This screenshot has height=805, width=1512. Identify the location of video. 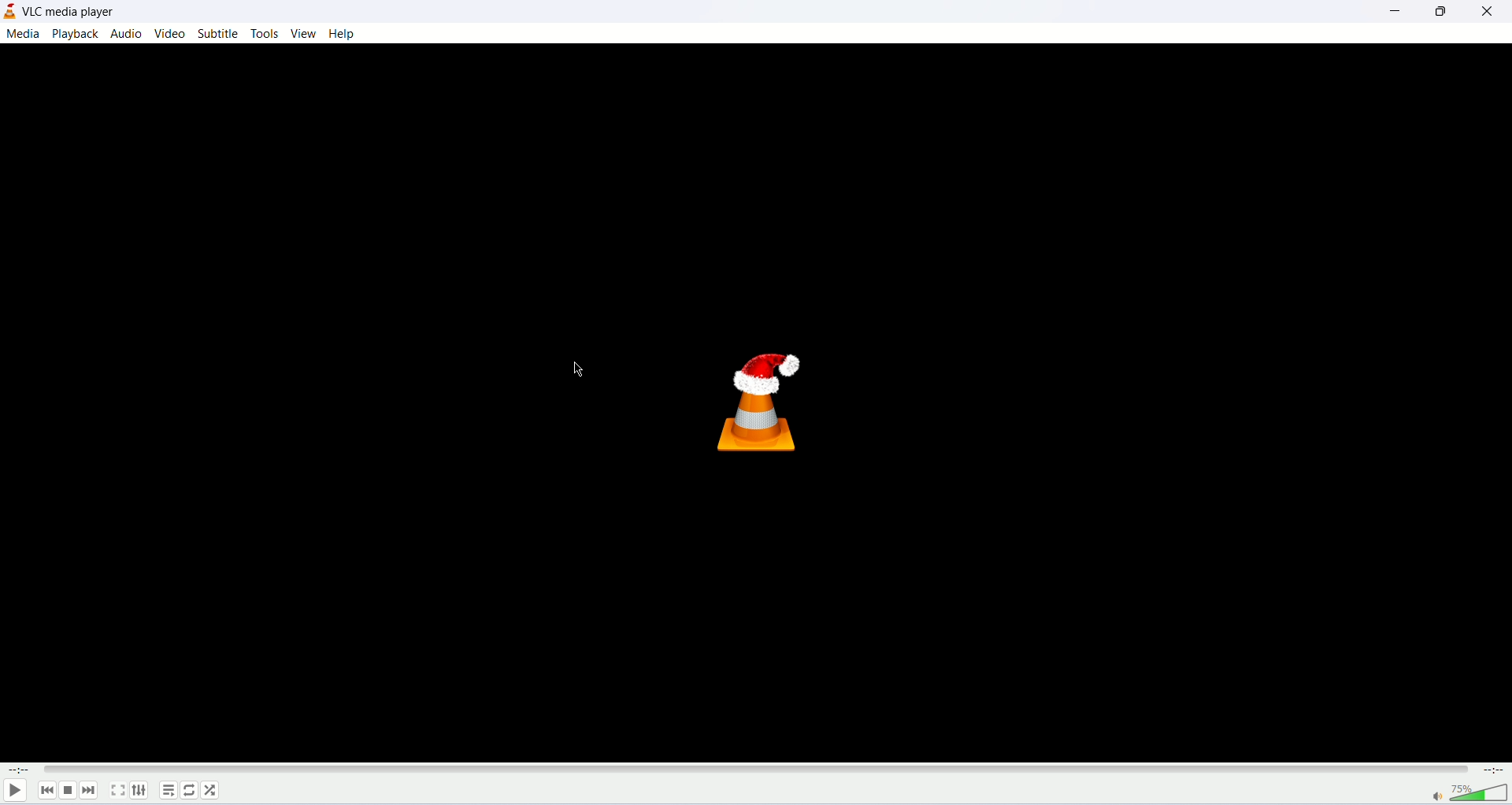
(171, 34).